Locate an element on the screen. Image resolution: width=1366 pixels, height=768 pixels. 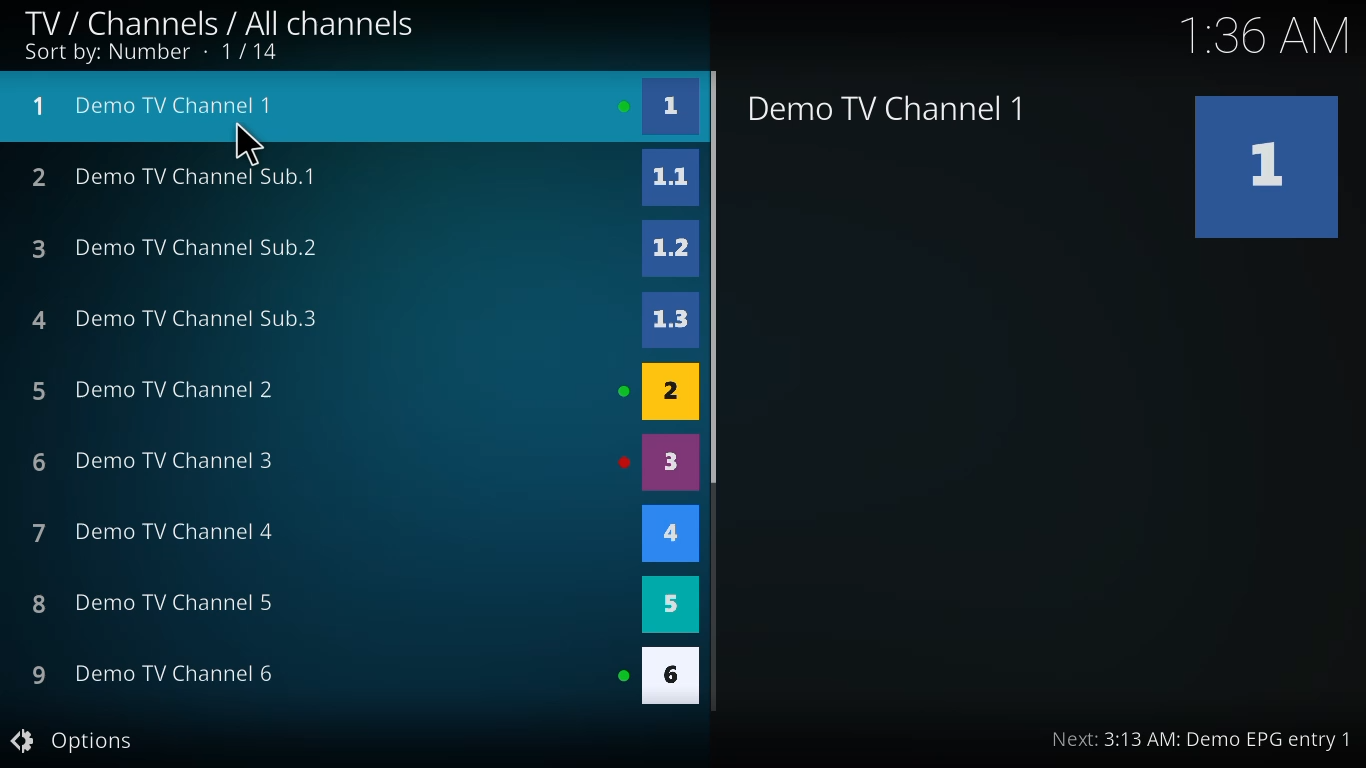
1.3 is located at coordinates (674, 317).